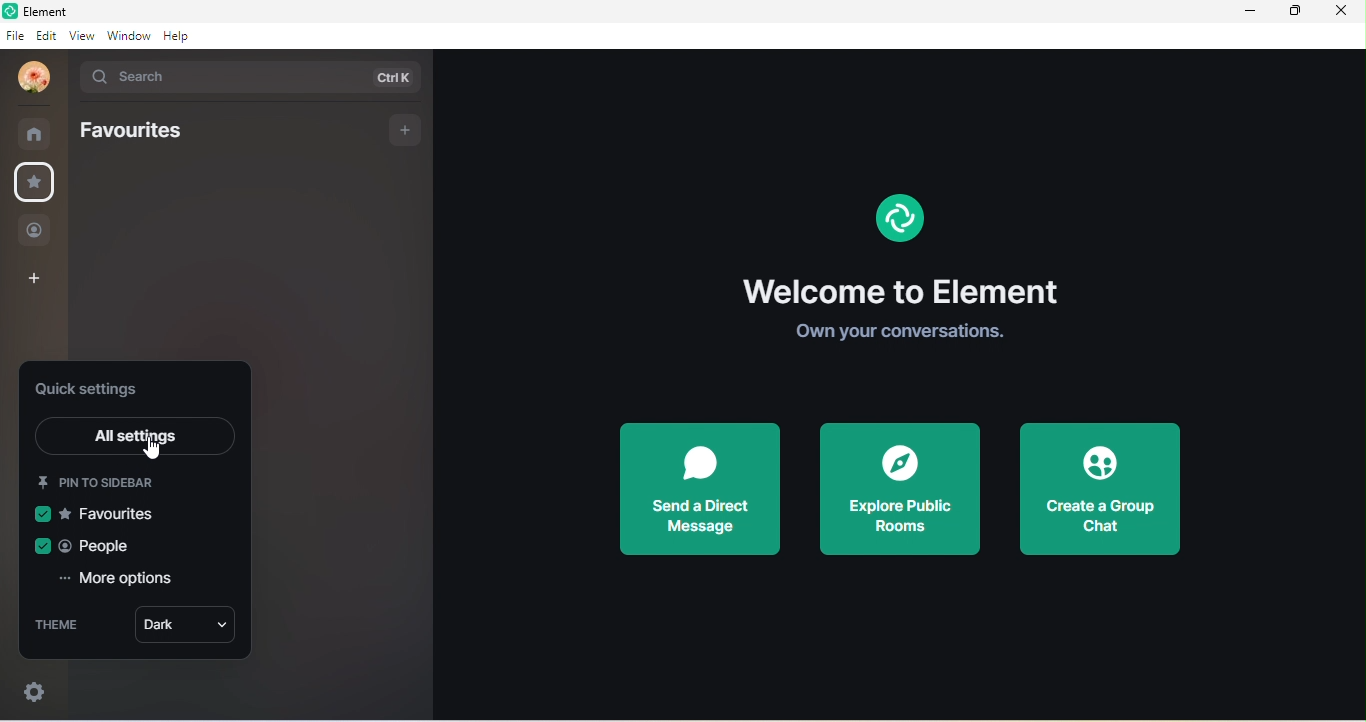  What do you see at coordinates (250, 77) in the screenshot?
I see `search` at bounding box center [250, 77].